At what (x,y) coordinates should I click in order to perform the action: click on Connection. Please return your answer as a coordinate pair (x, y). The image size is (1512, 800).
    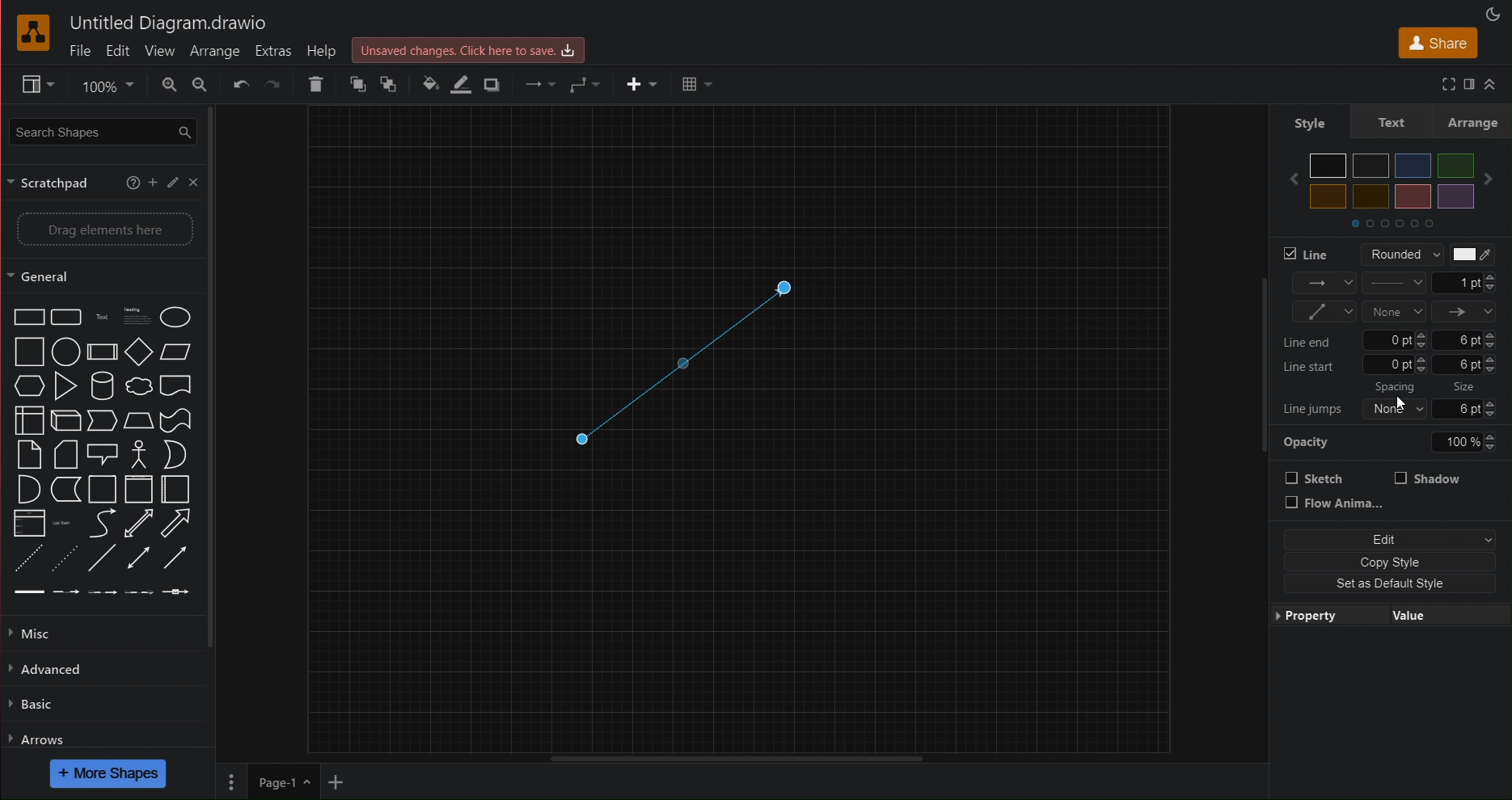
    Looking at the image, I should click on (1324, 284).